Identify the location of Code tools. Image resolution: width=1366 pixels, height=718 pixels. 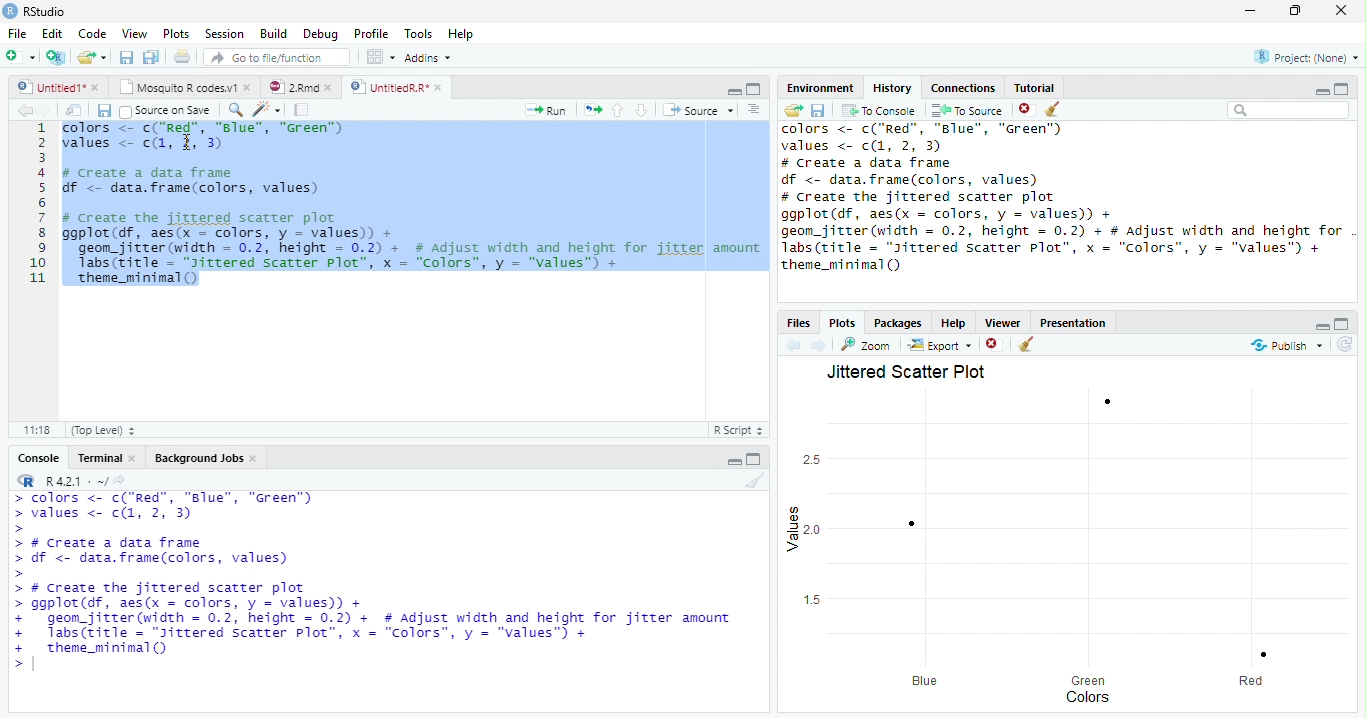
(268, 110).